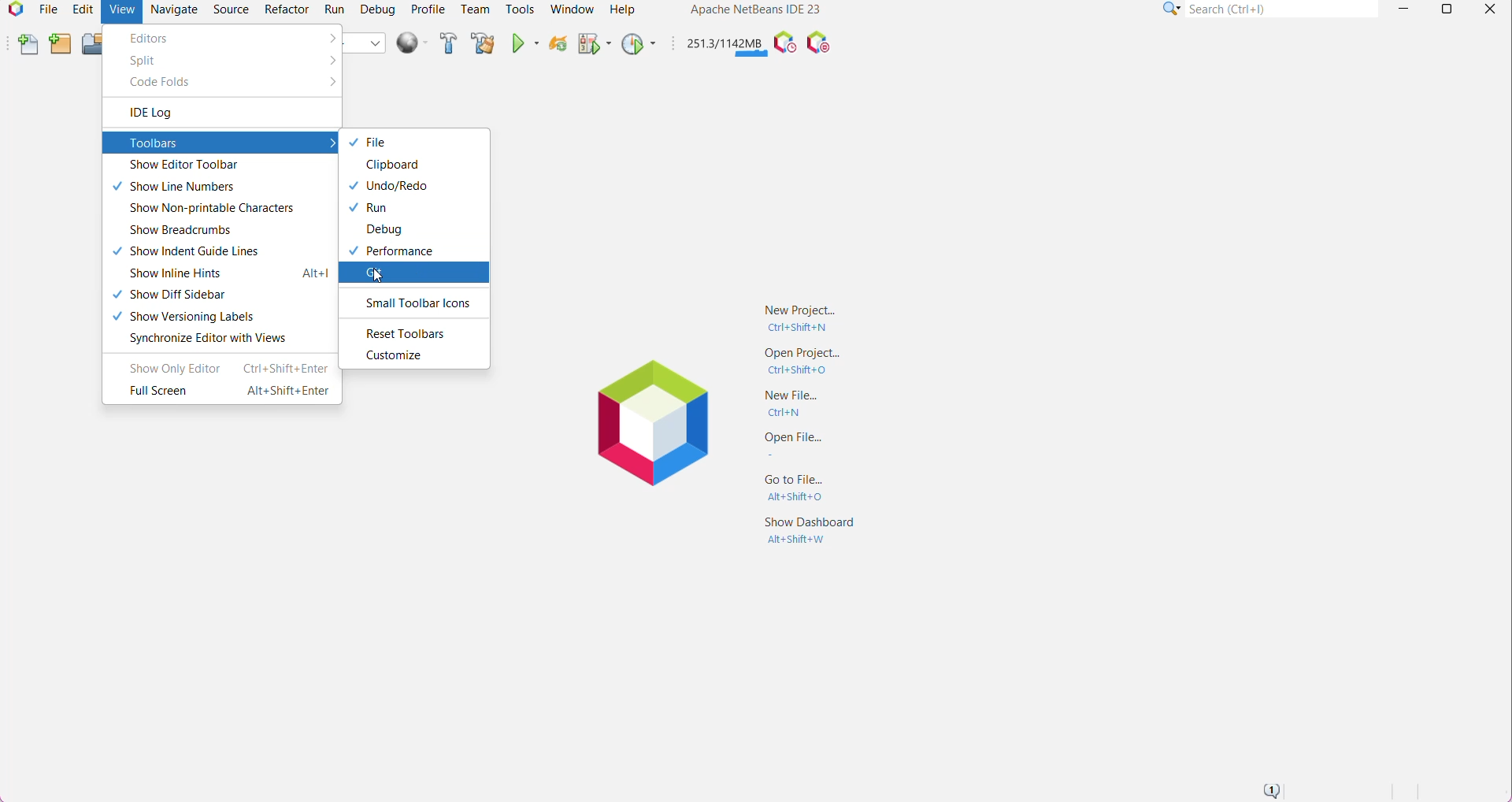 The height and width of the screenshot is (802, 1512). What do you see at coordinates (198, 253) in the screenshot?
I see `Show Indent Guide Lines` at bounding box center [198, 253].